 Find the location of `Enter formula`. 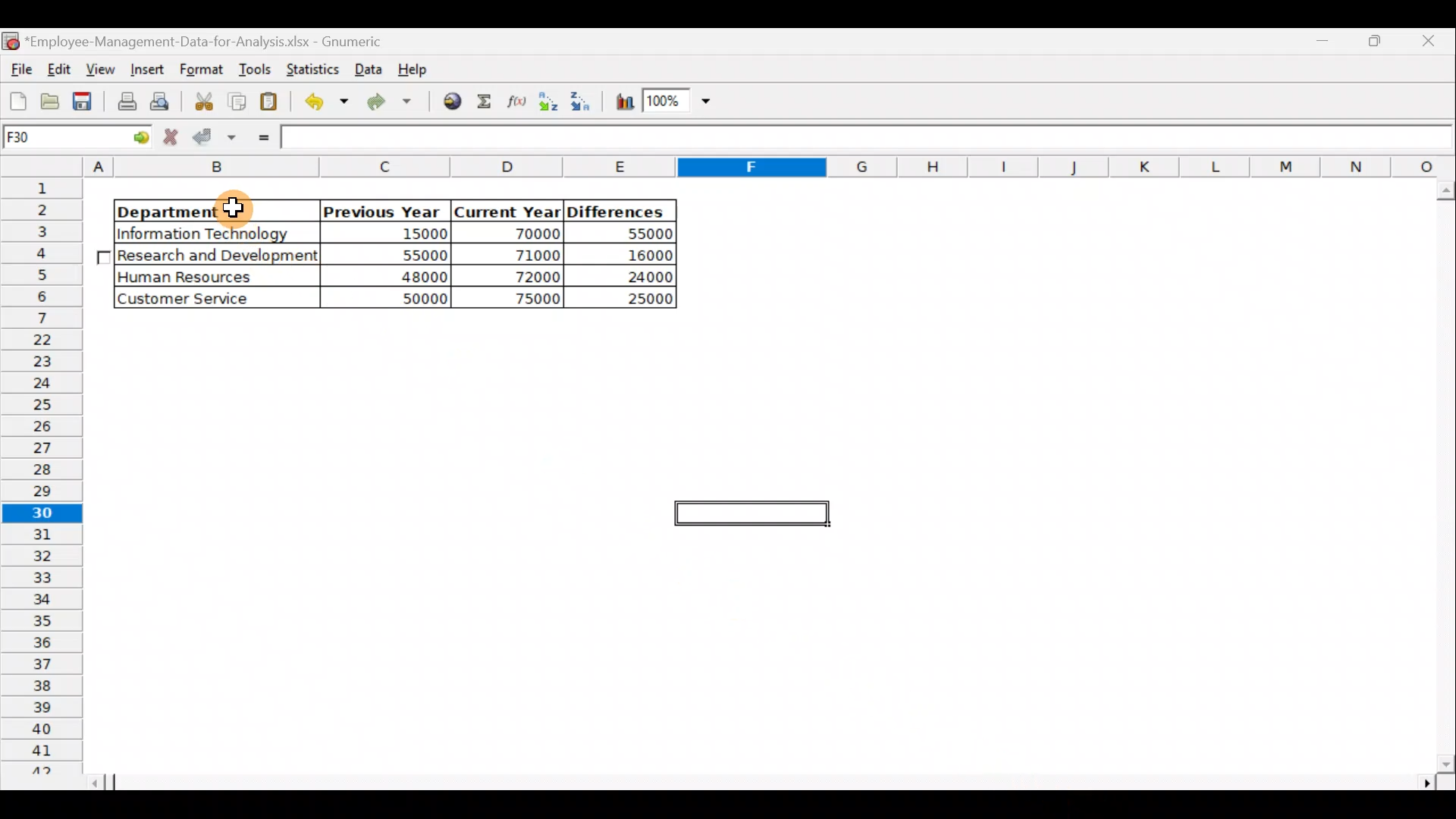

Enter formula is located at coordinates (259, 136).